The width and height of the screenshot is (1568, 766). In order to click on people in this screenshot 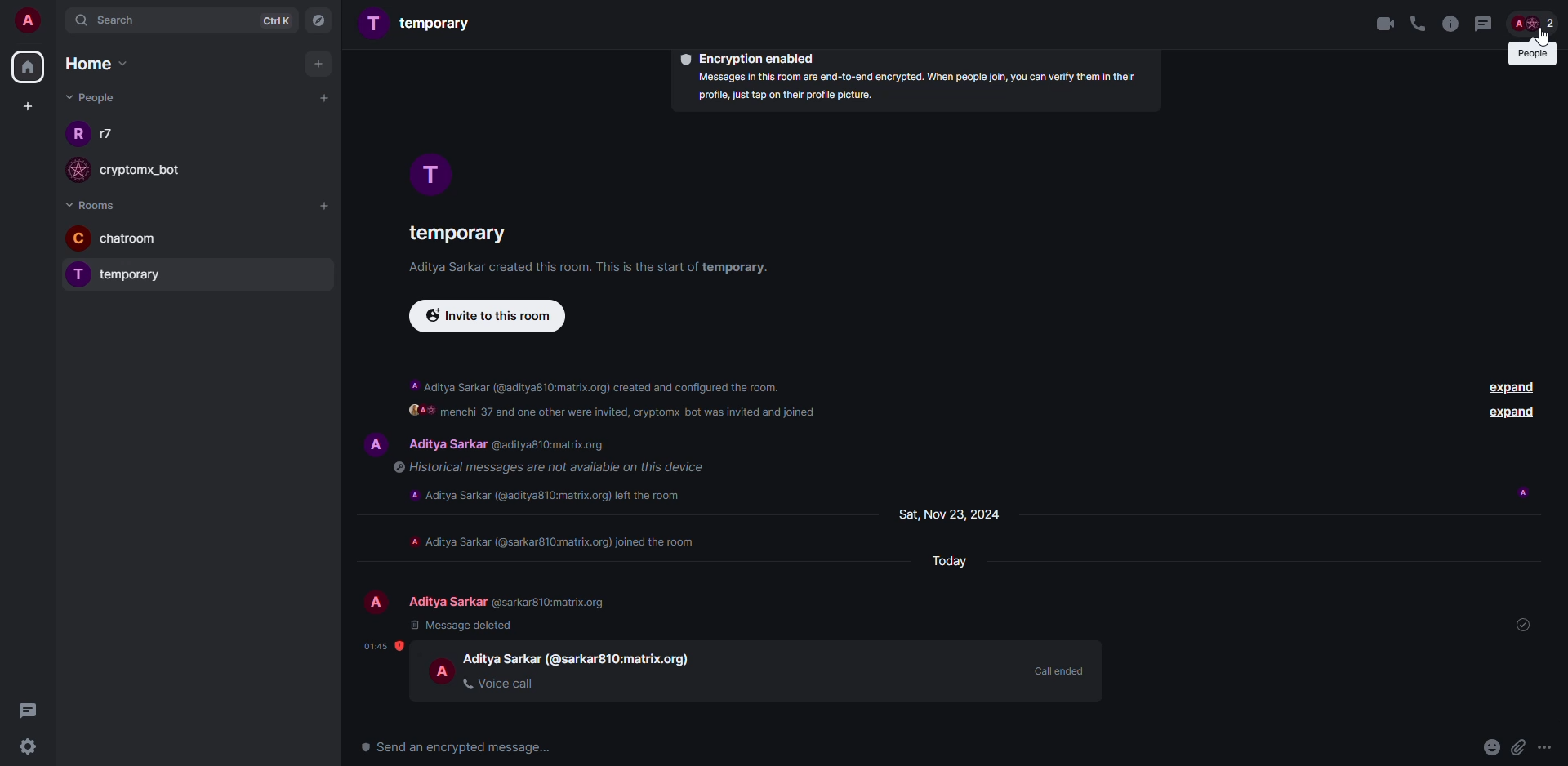, I will do `click(513, 445)`.